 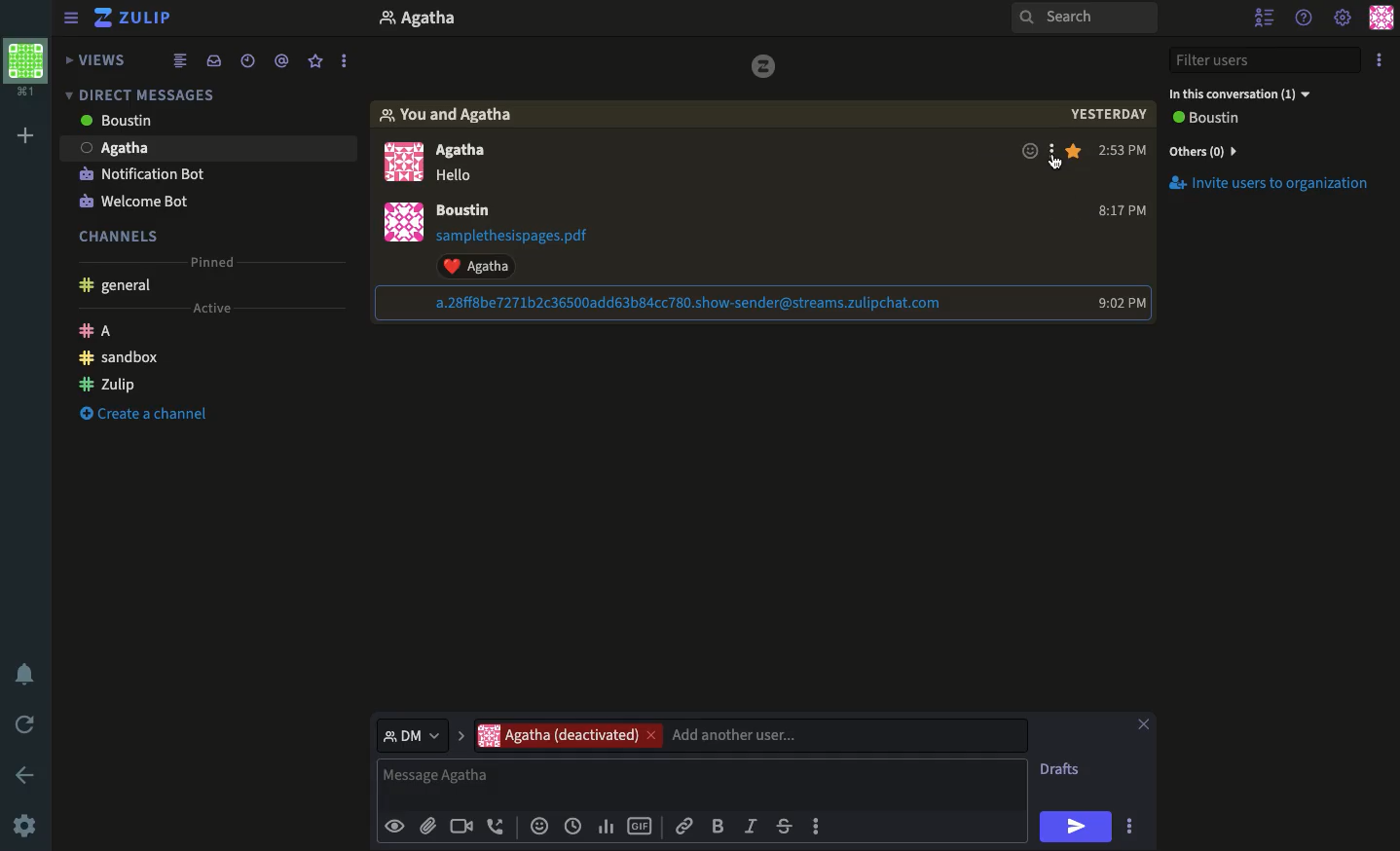 What do you see at coordinates (99, 333) in the screenshot?
I see `A` at bounding box center [99, 333].